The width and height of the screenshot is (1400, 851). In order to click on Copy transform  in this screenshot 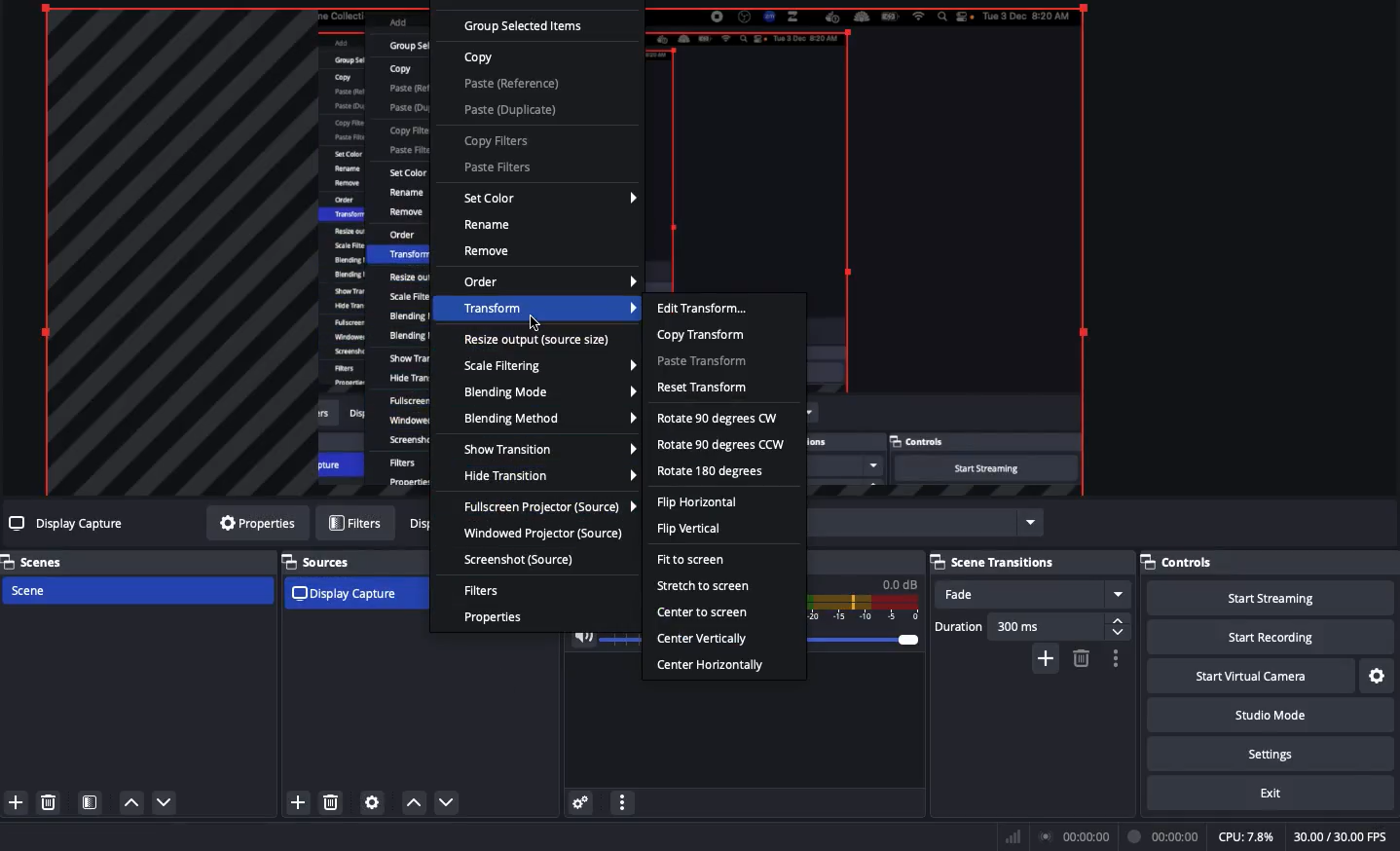, I will do `click(701, 336)`.